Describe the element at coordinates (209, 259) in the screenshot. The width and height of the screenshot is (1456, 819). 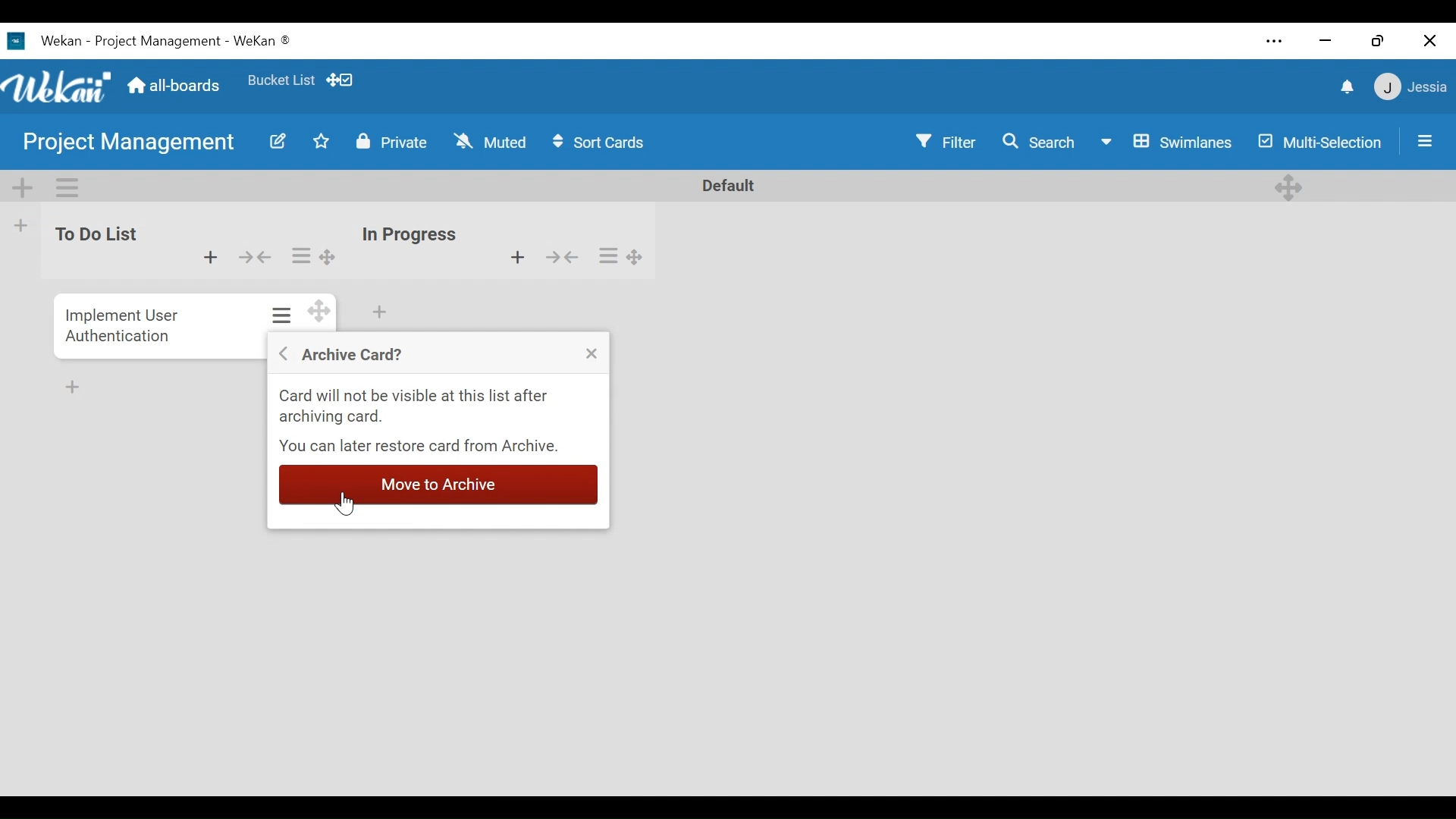
I see `add` at that location.